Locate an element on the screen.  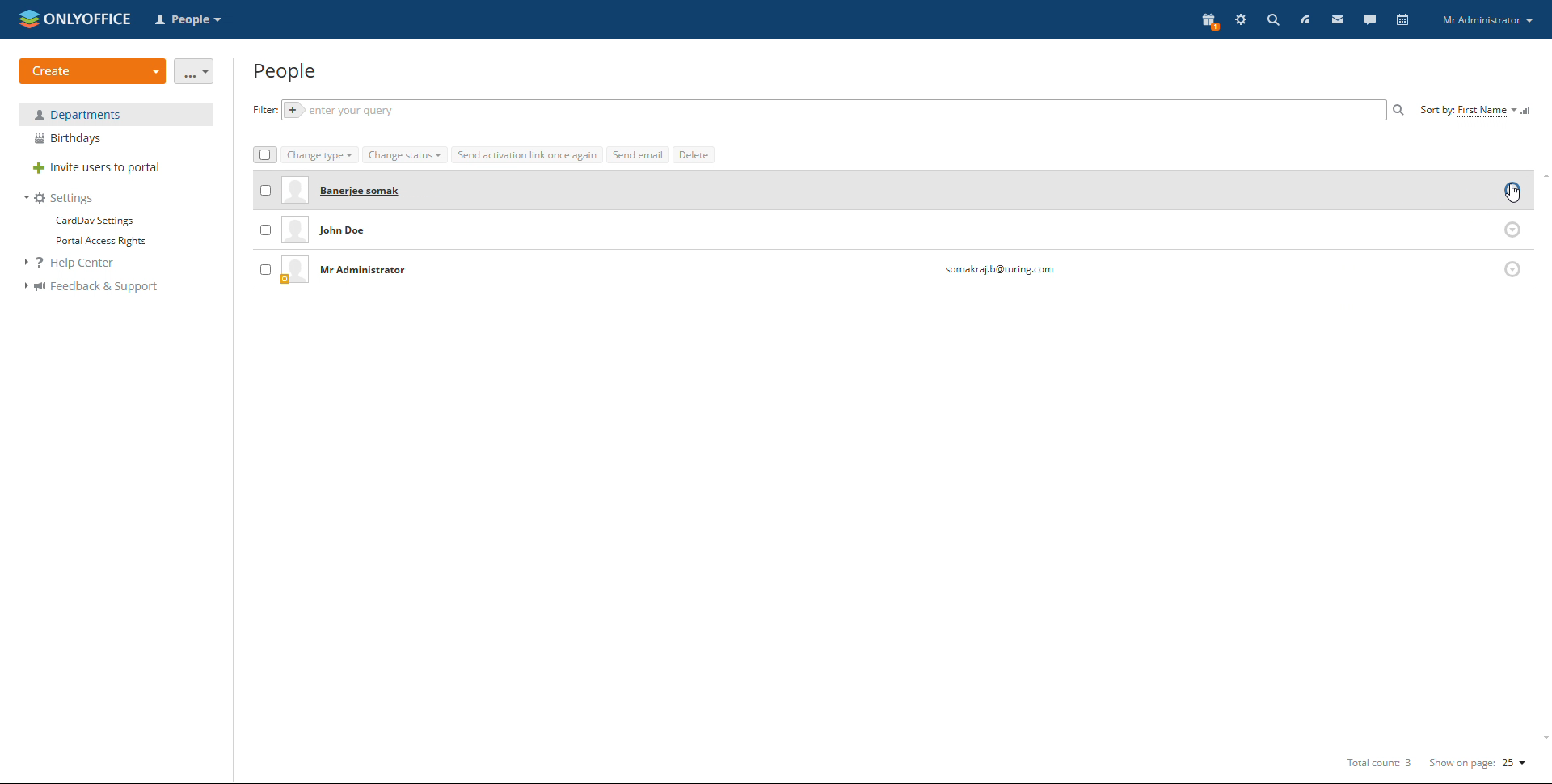
me adninitrator is located at coordinates (368, 272).